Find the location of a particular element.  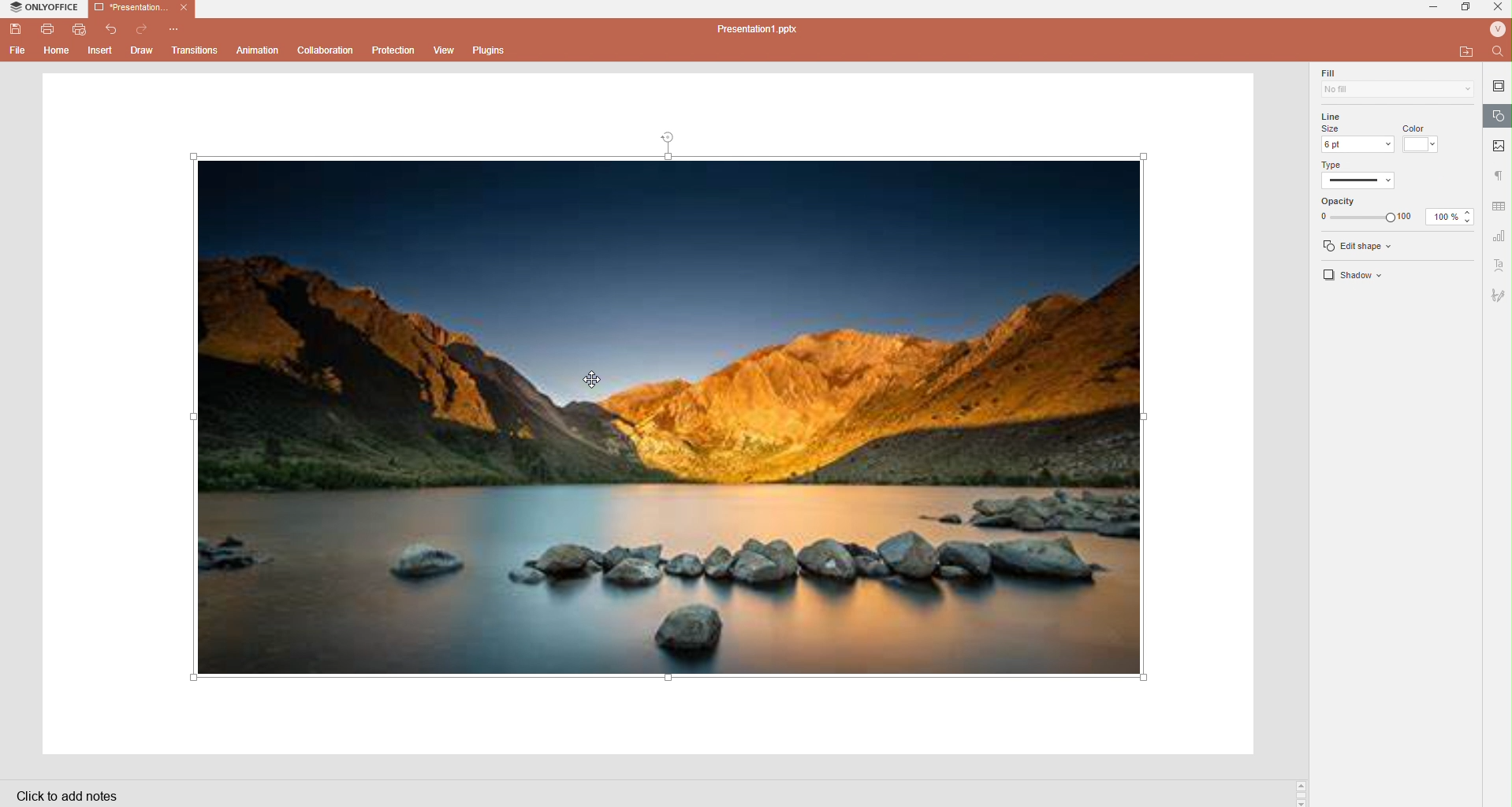

View is located at coordinates (447, 50).